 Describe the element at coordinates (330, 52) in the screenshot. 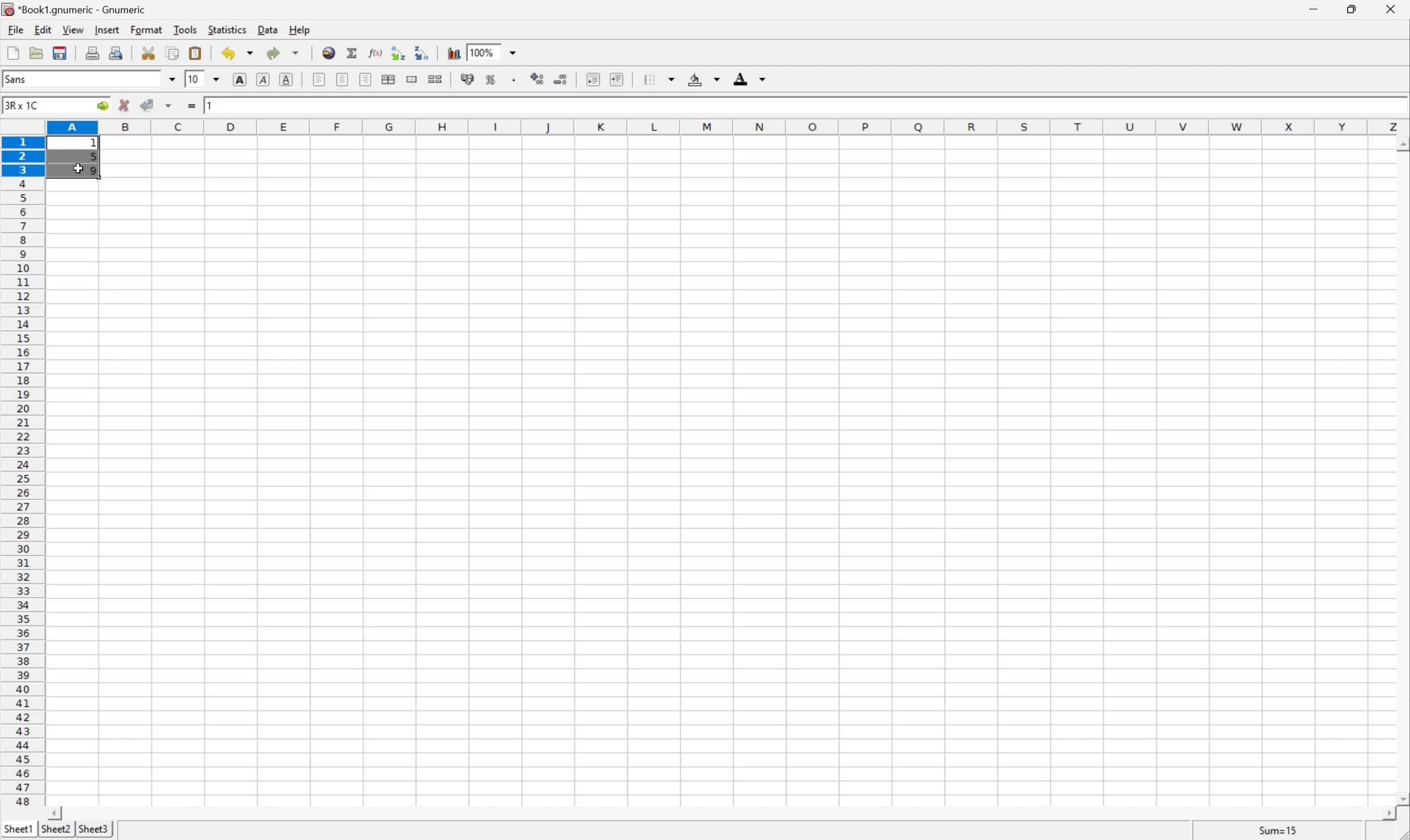

I see `insert hyperlink` at that location.